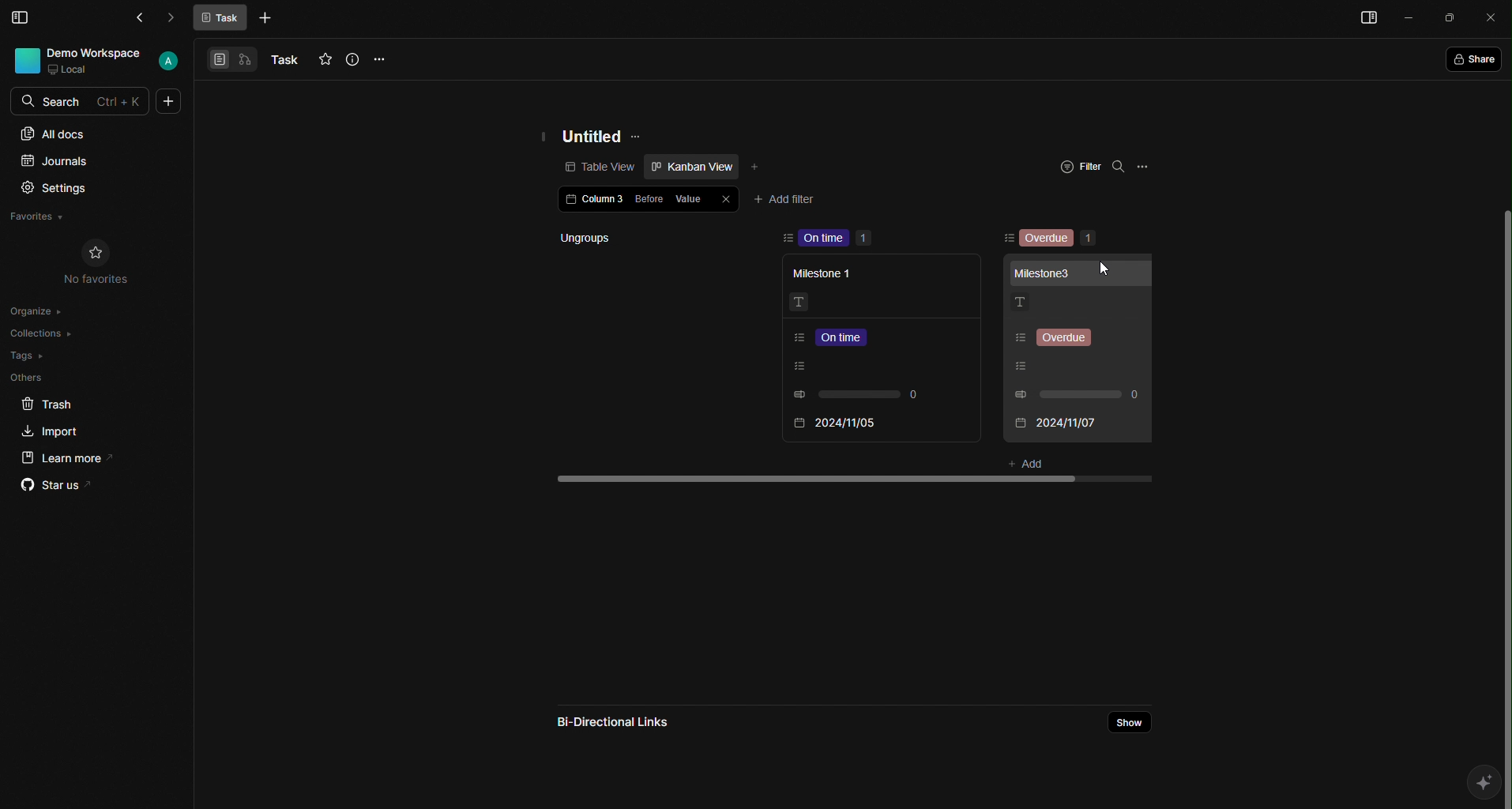 Image resolution: width=1512 pixels, height=809 pixels. What do you see at coordinates (54, 135) in the screenshot?
I see `All docs` at bounding box center [54, 135].